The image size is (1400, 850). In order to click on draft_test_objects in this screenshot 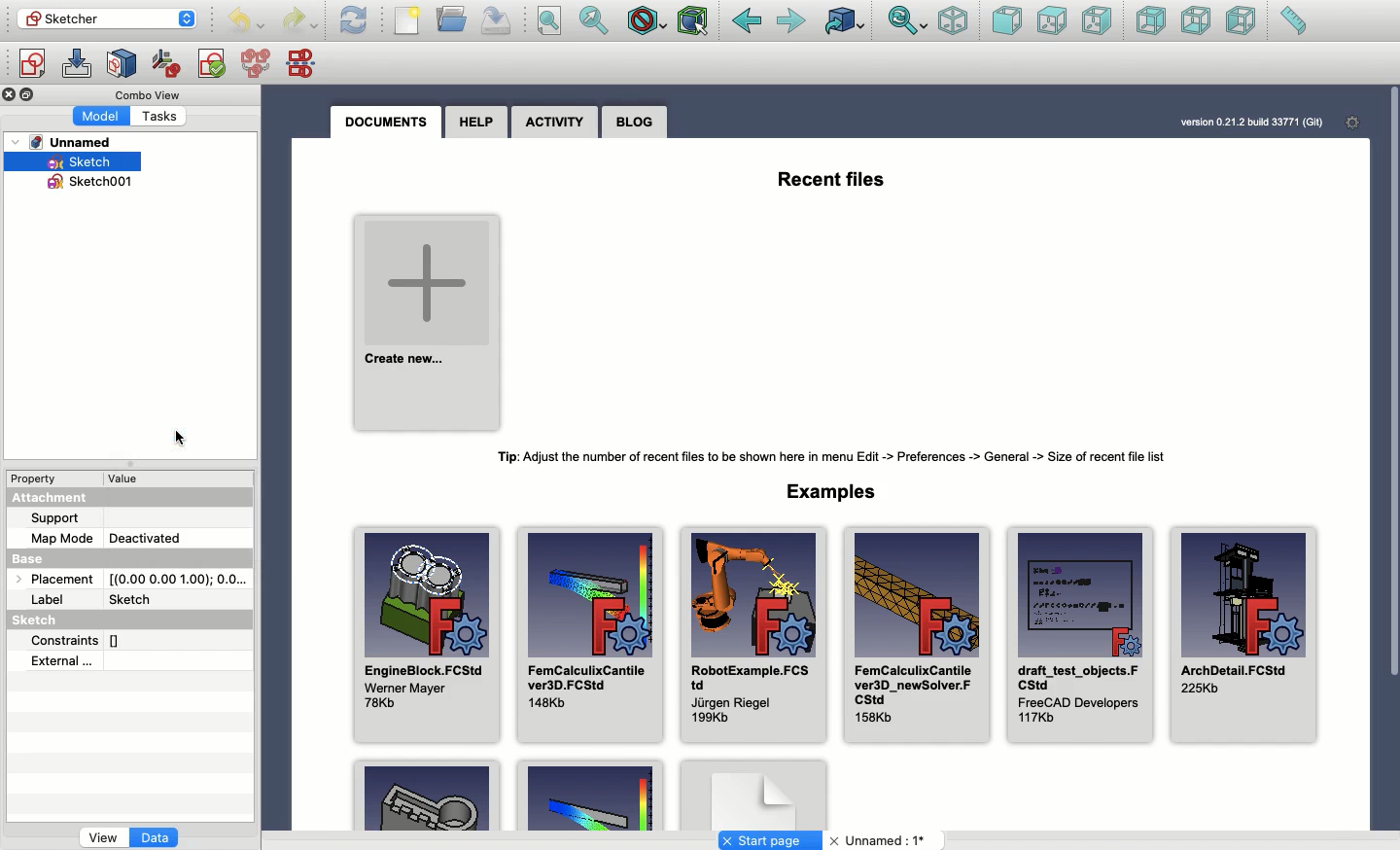, I will do `click(1079, 632)`.